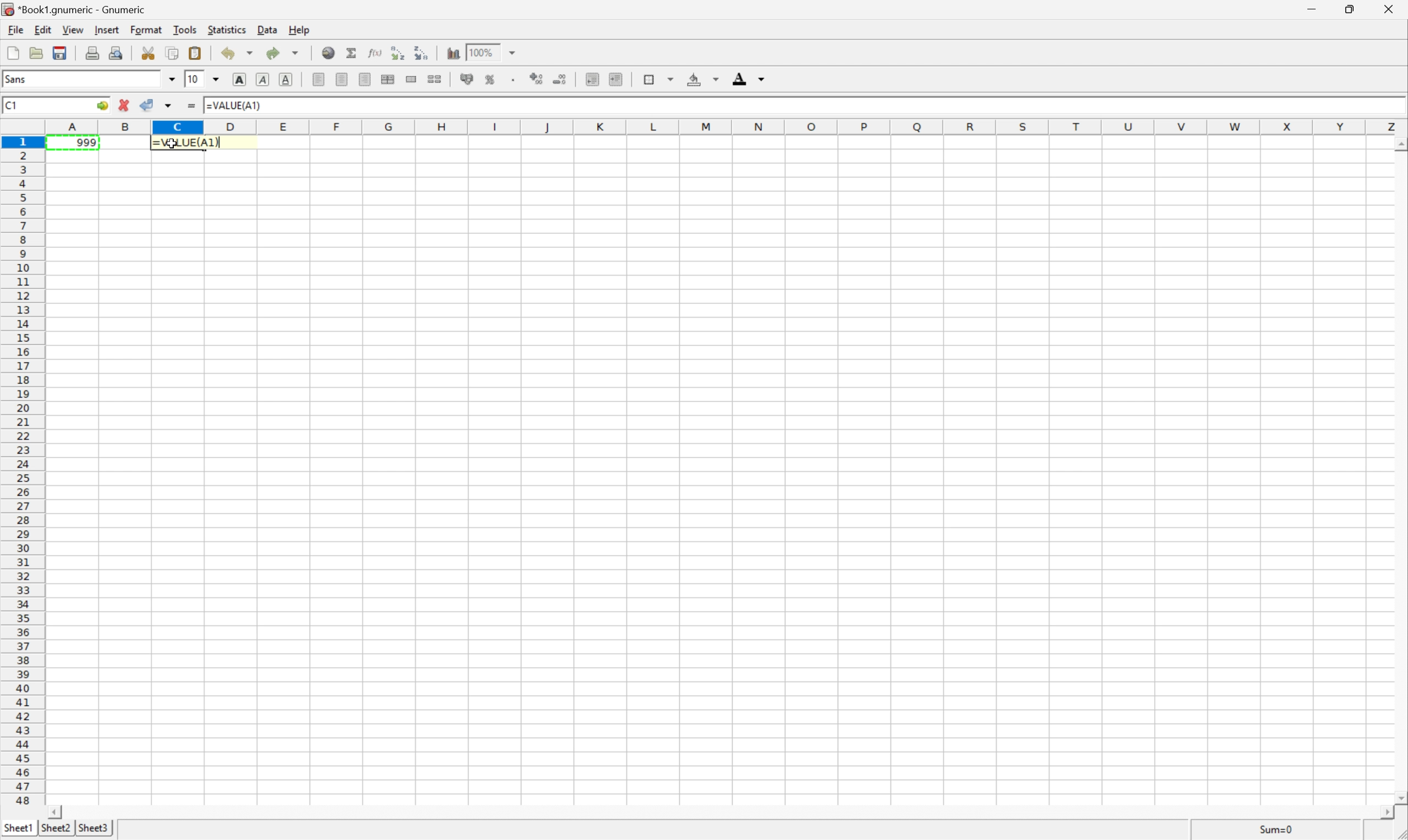 This screenshot has width=1408, height=840. What do you see at coordinates (229, 29) in the screenshot?
I see `statistics` at bounding box center [229, 29].